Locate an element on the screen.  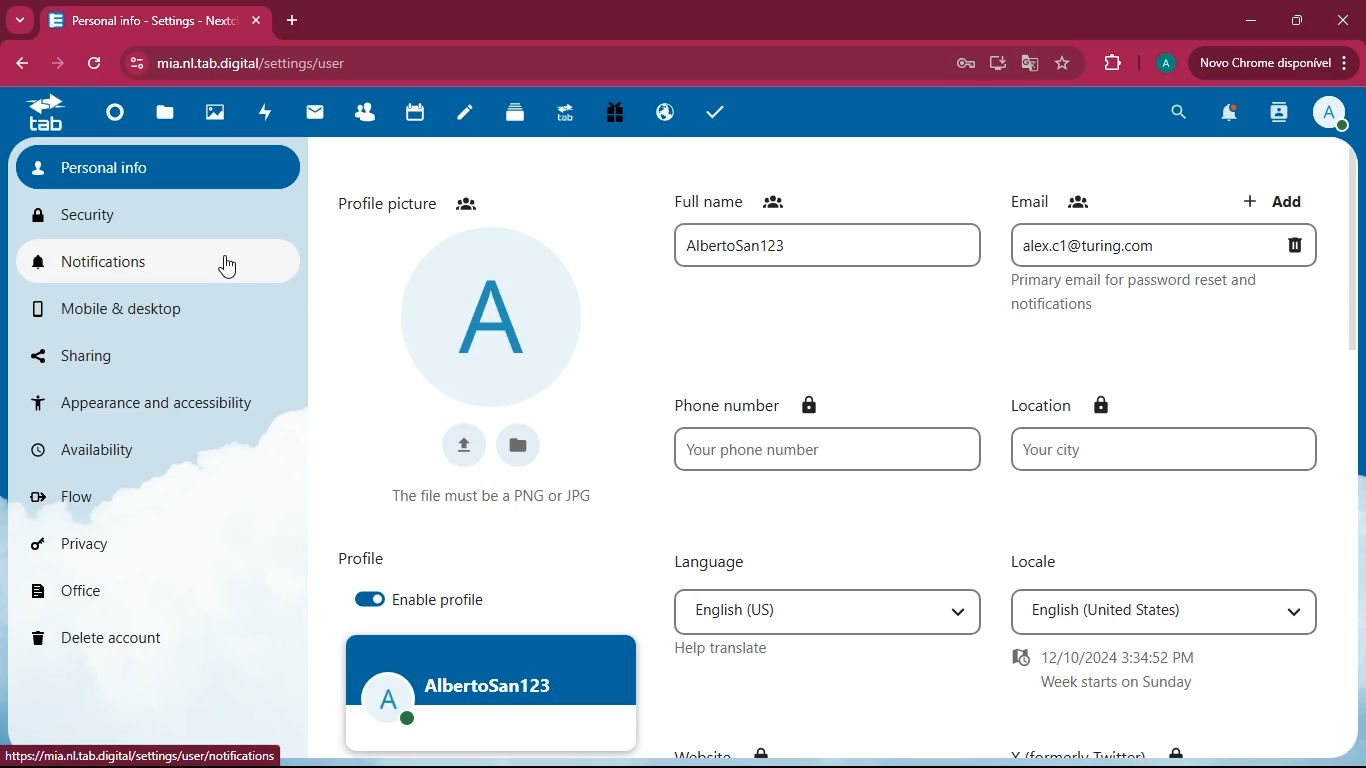
email is located at coordinates (1170, 244).